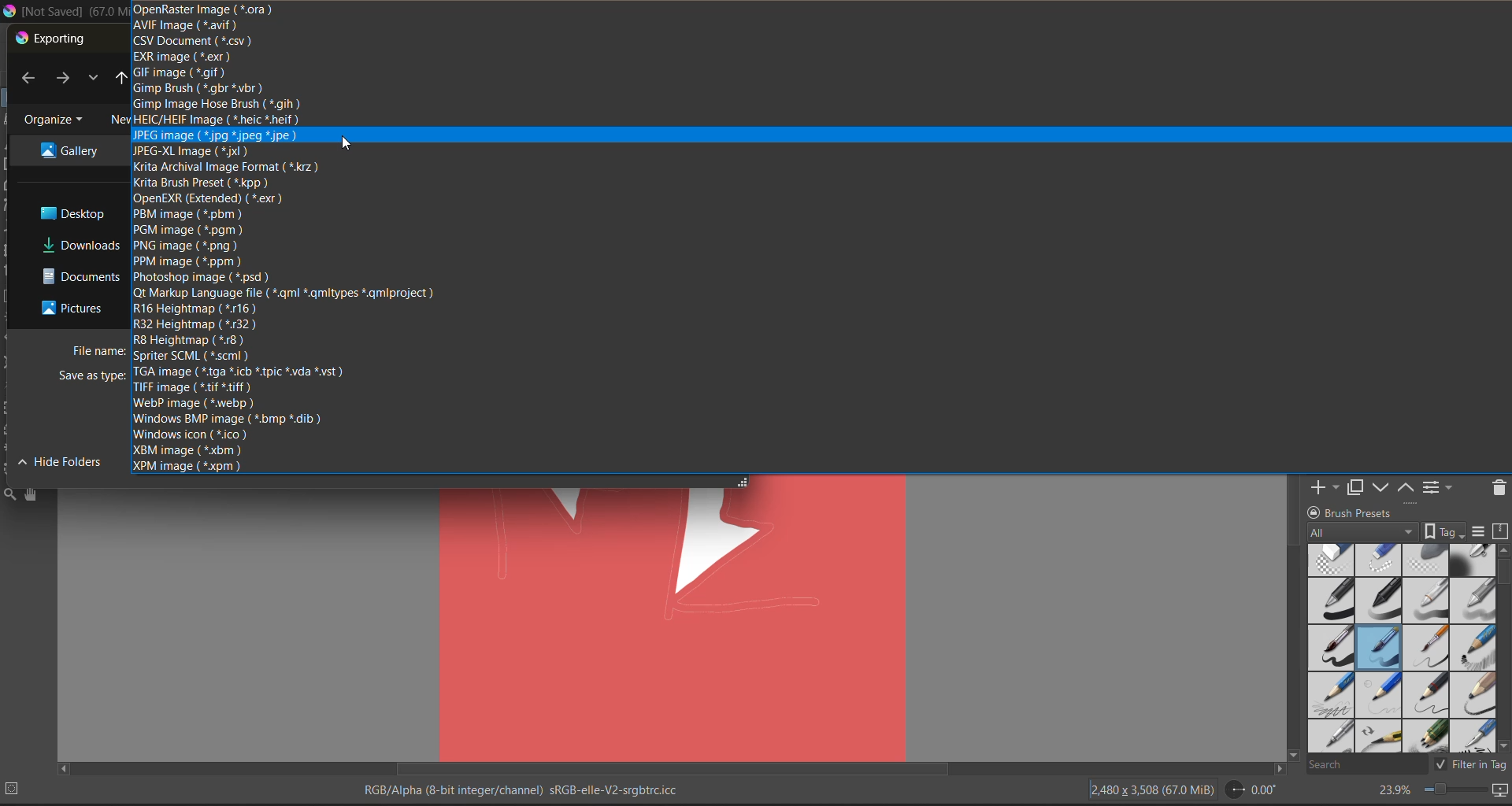 The image size is (1512, 806). I want to click on metadata, so click(530, 787).